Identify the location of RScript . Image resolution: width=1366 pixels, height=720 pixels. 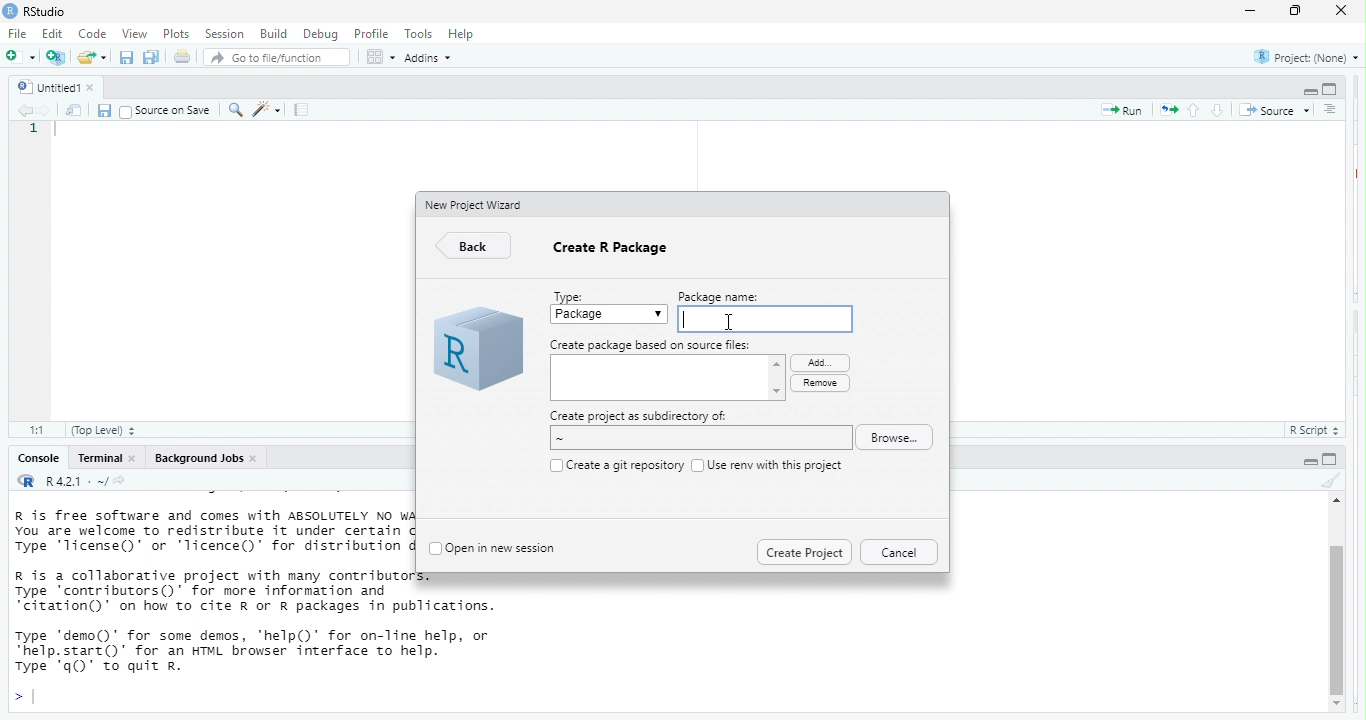
(1309, 431).